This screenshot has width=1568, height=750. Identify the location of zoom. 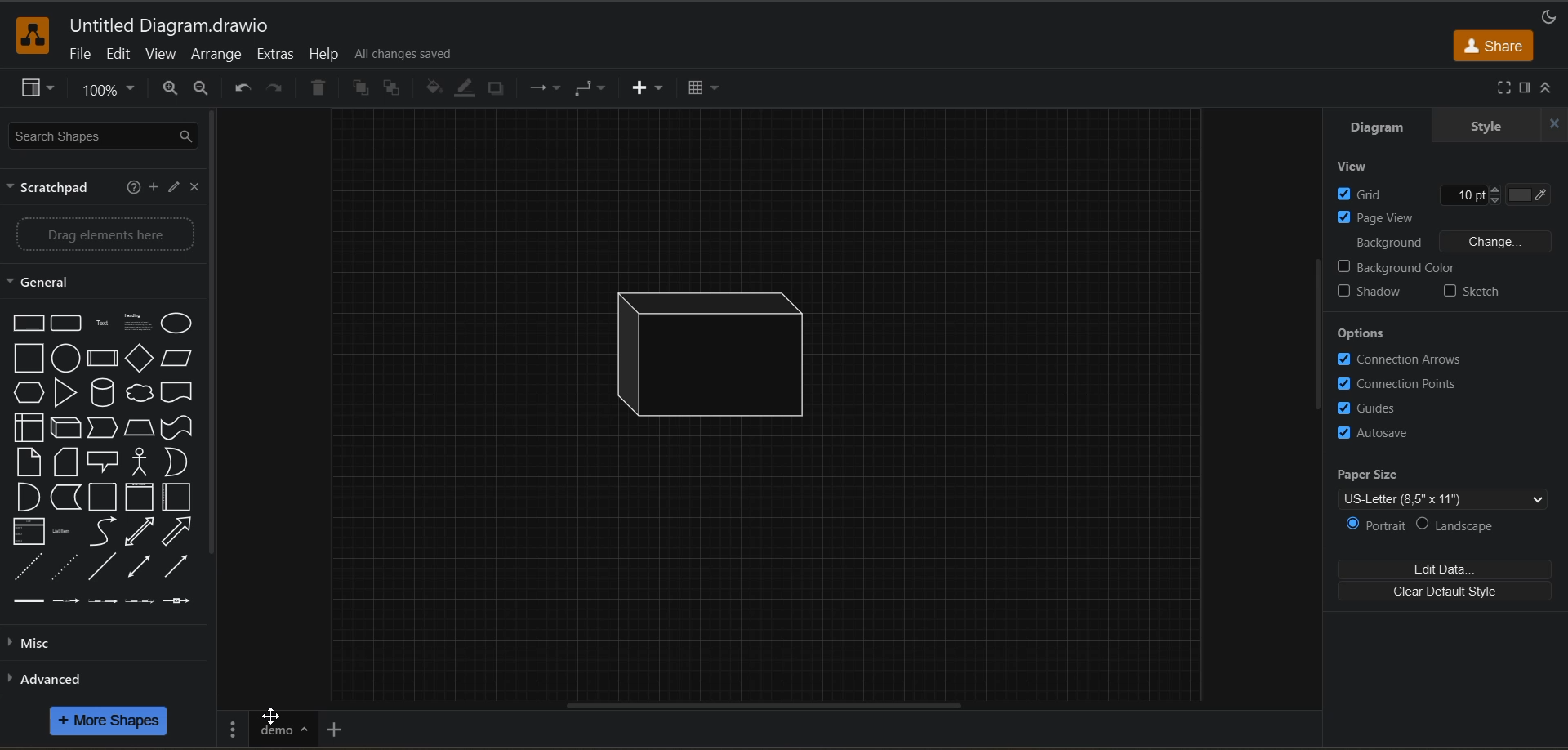
(107, 88).